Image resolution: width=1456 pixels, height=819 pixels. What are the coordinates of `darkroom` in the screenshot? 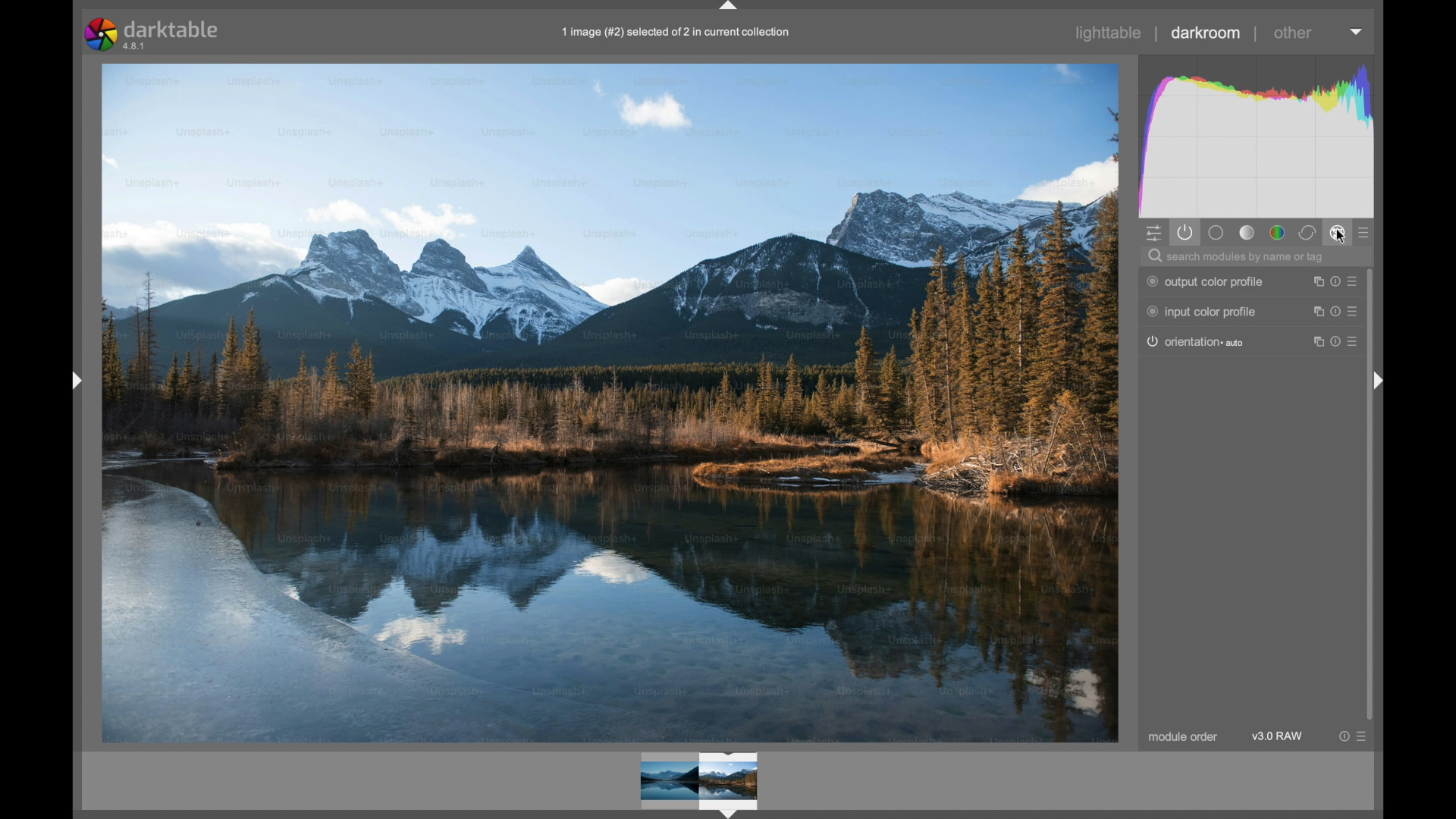 It's located at (1206, 32).